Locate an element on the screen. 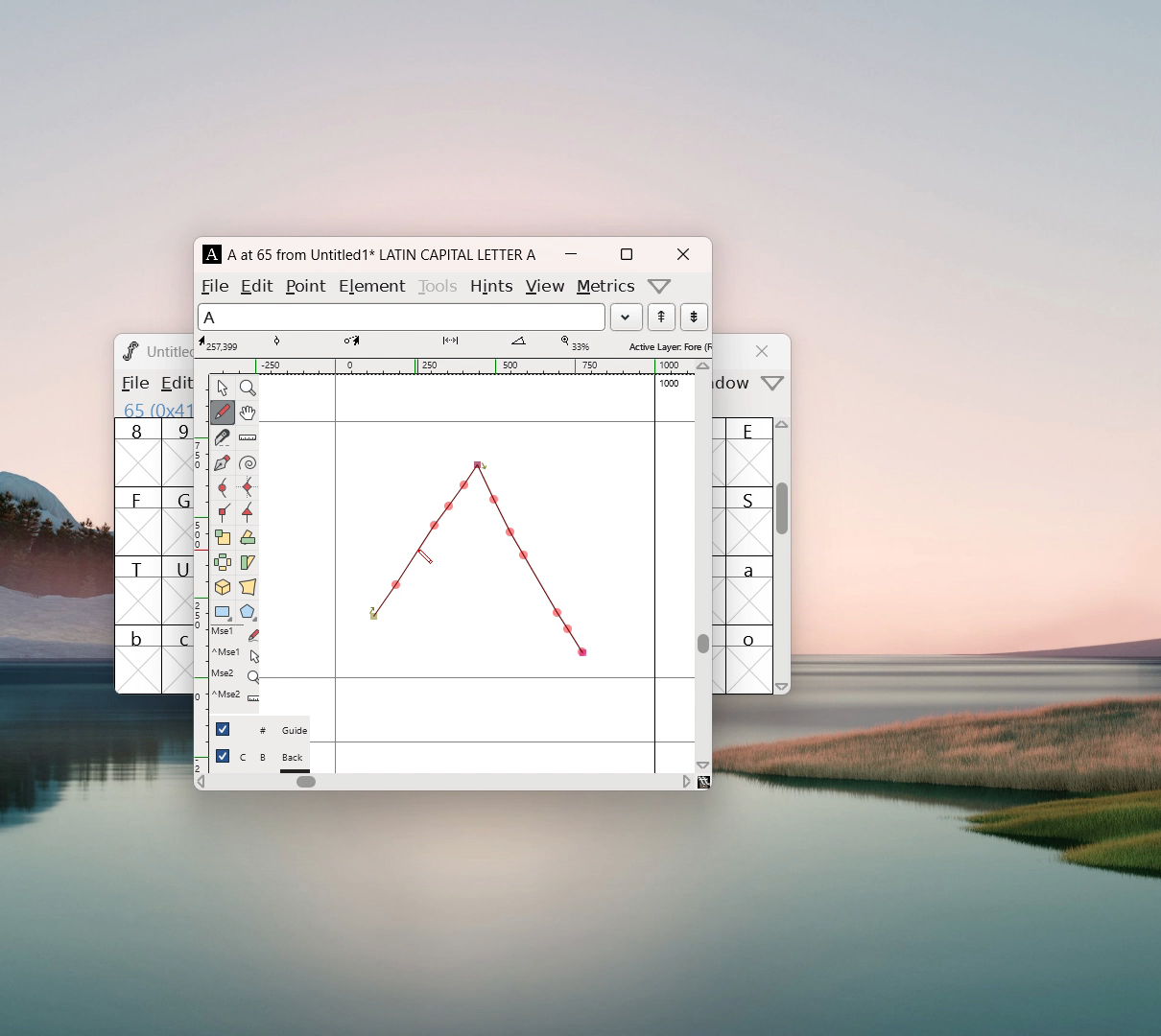 The width and height of the screenshot is (1161, 1036). T is located at coordinates (138, 590).